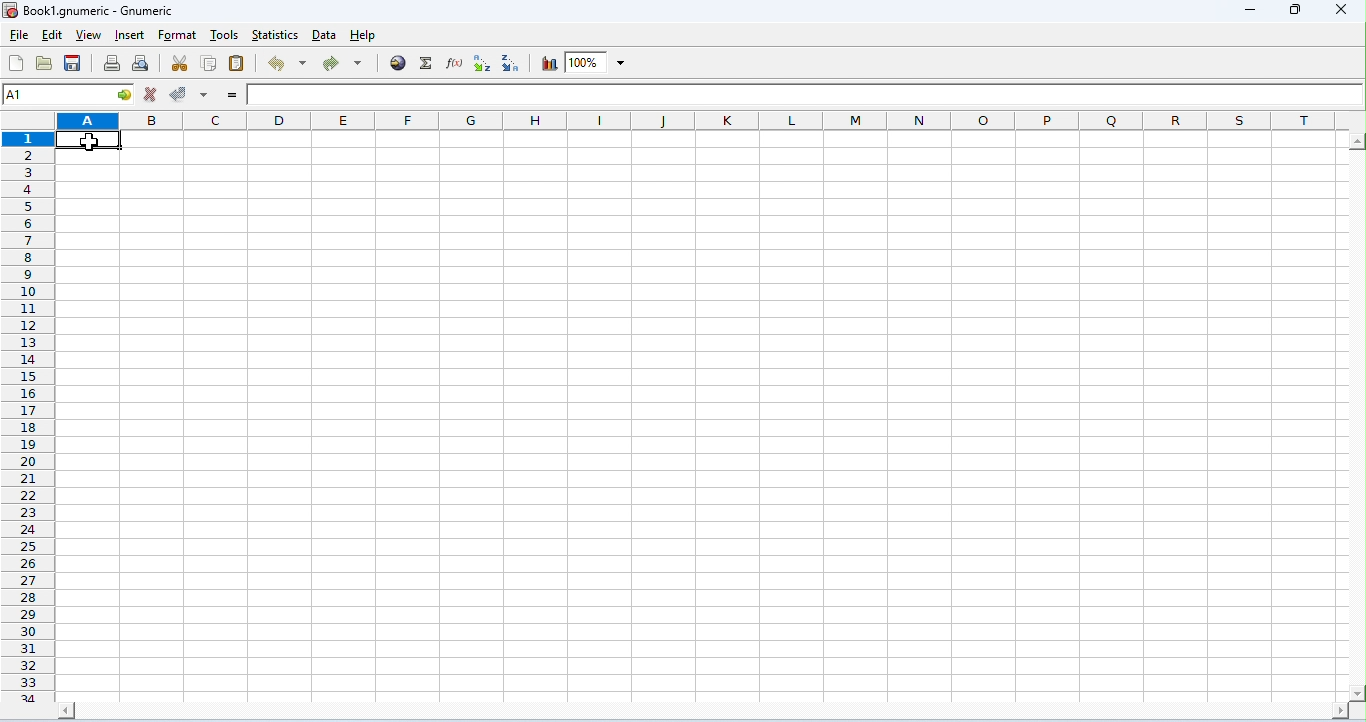  Describe the element at coordinates (326, 36) in the screenshot. I see `data` at that location.